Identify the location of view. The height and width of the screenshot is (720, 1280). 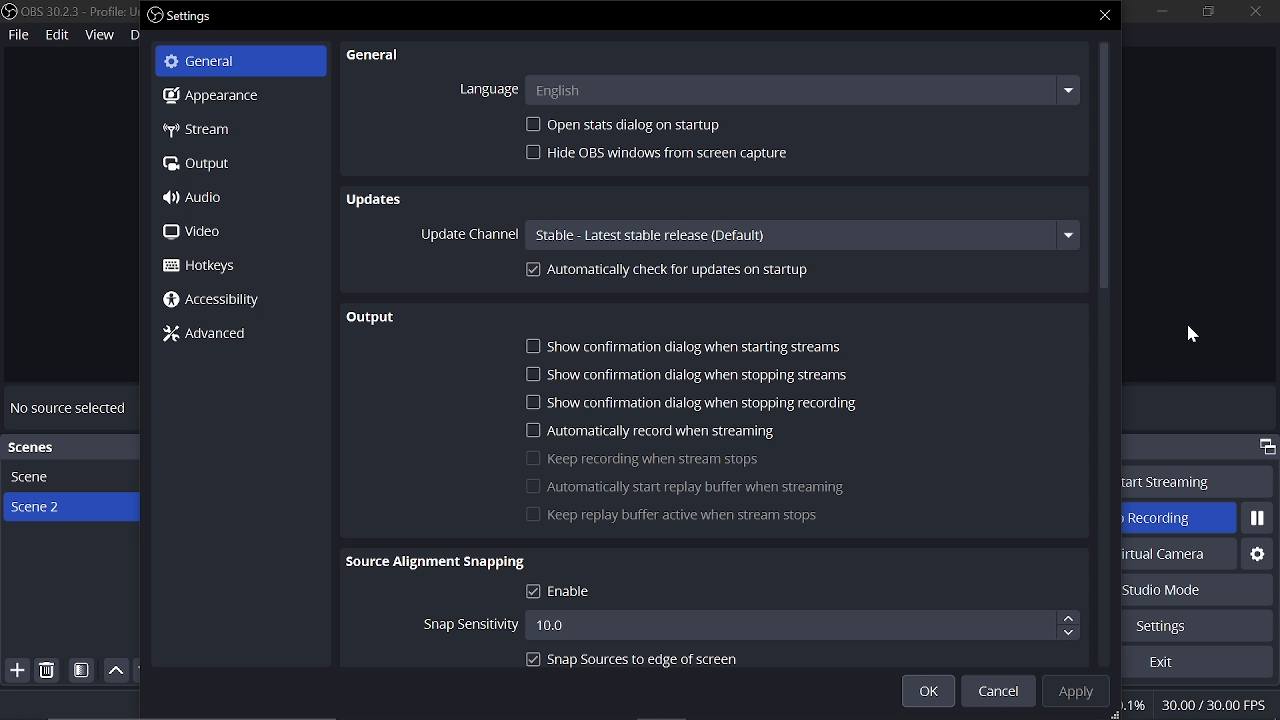
(100, 34).